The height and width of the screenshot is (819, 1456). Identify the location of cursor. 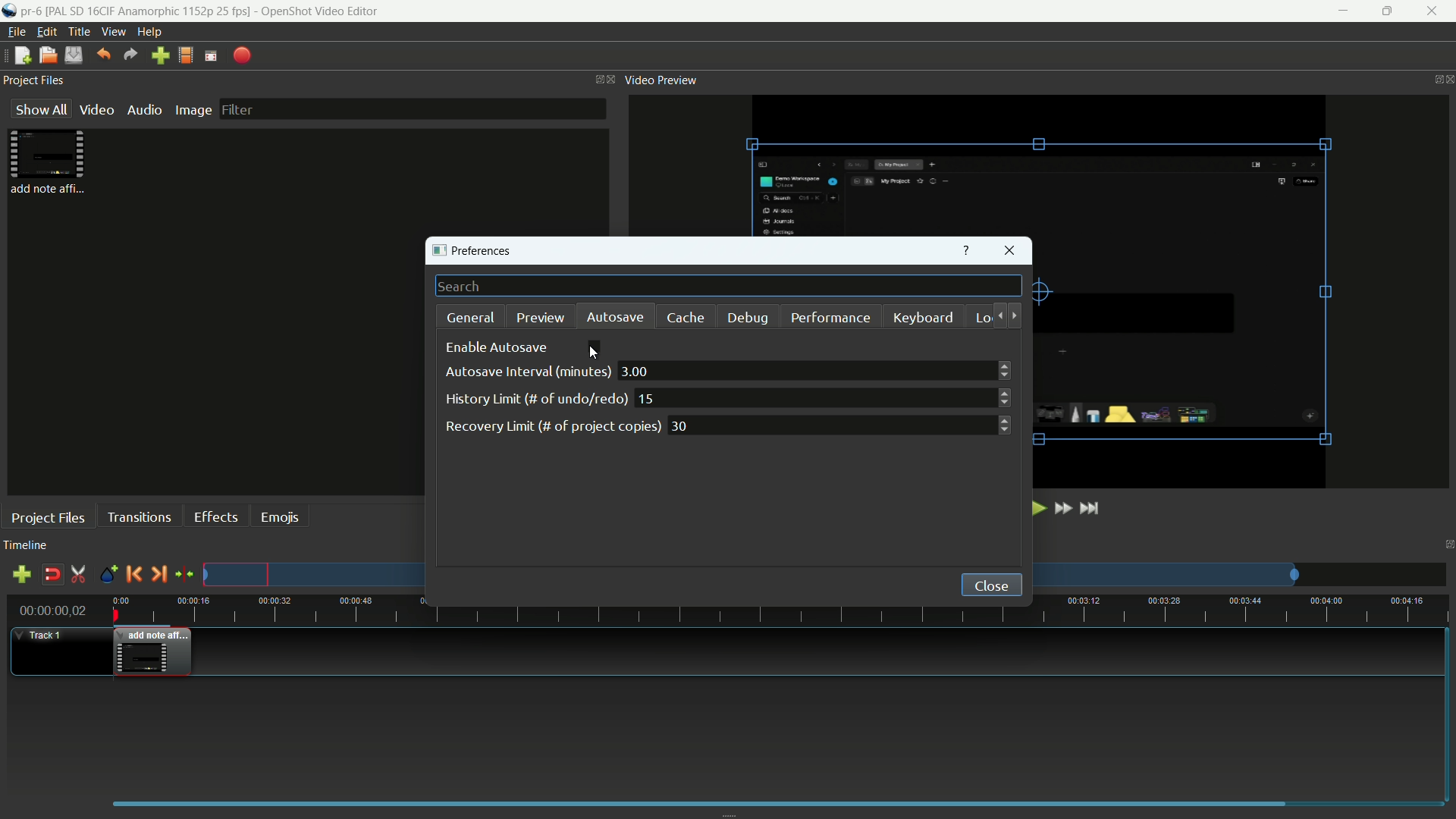
(595, 353).